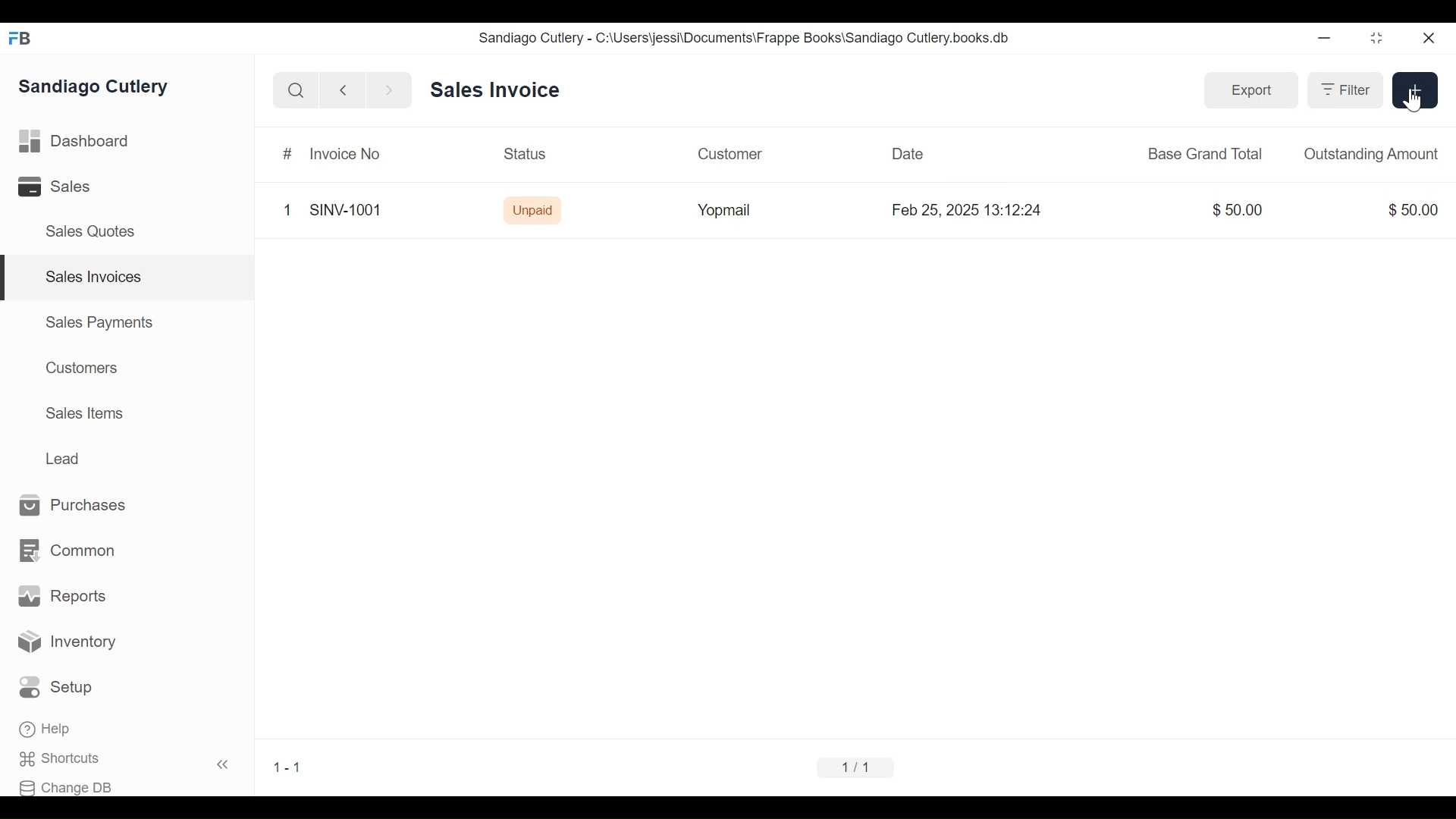 The height and width of the screenshot is (819, 1456). I want to click on Sales, so click(57, 186).